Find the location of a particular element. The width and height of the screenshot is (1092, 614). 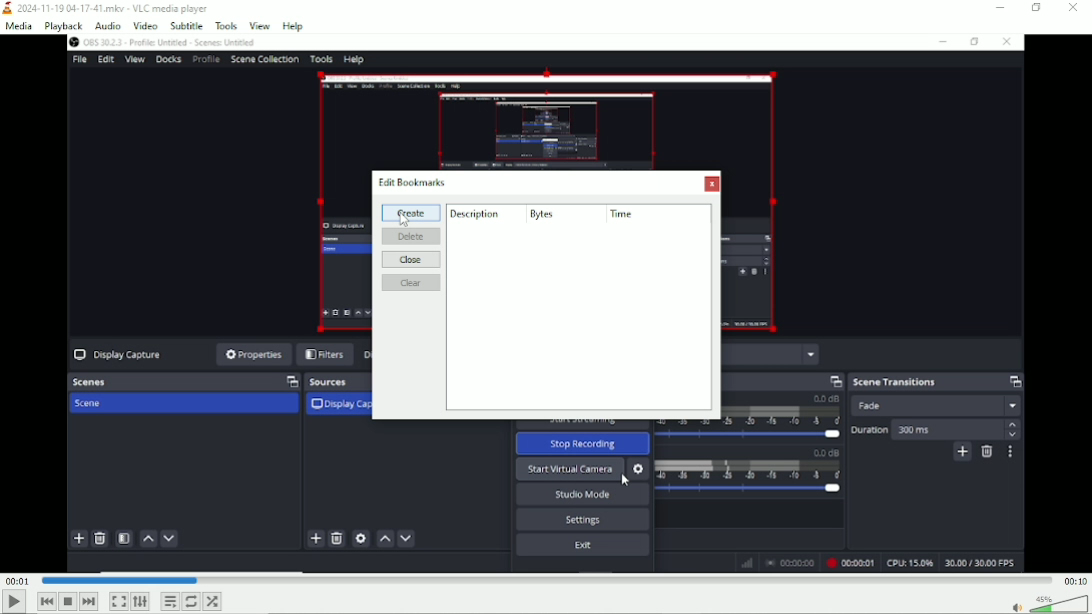

Video is located at coordinates (545, 500).